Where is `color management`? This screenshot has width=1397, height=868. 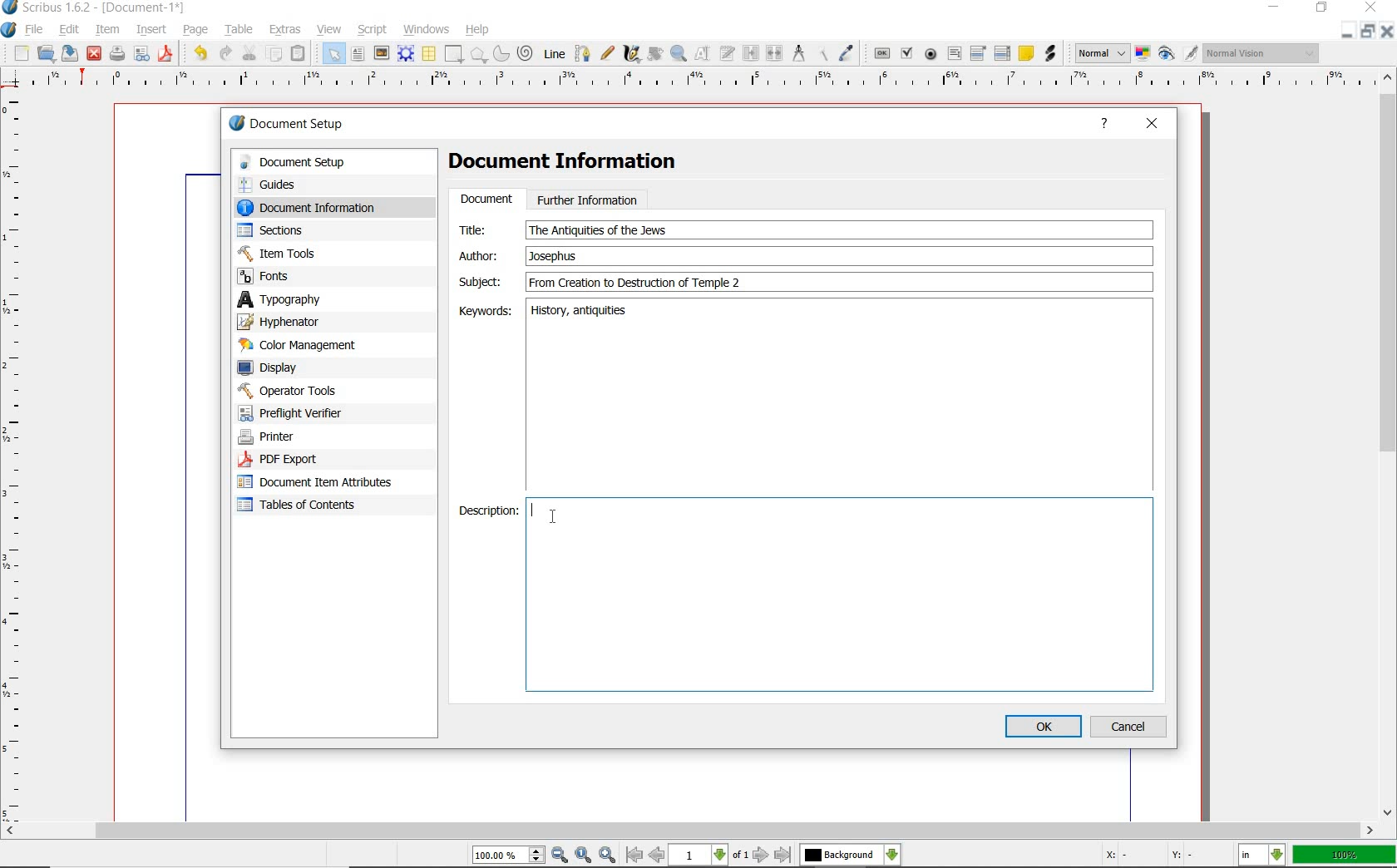
color management is located at coordinates (301, 345).